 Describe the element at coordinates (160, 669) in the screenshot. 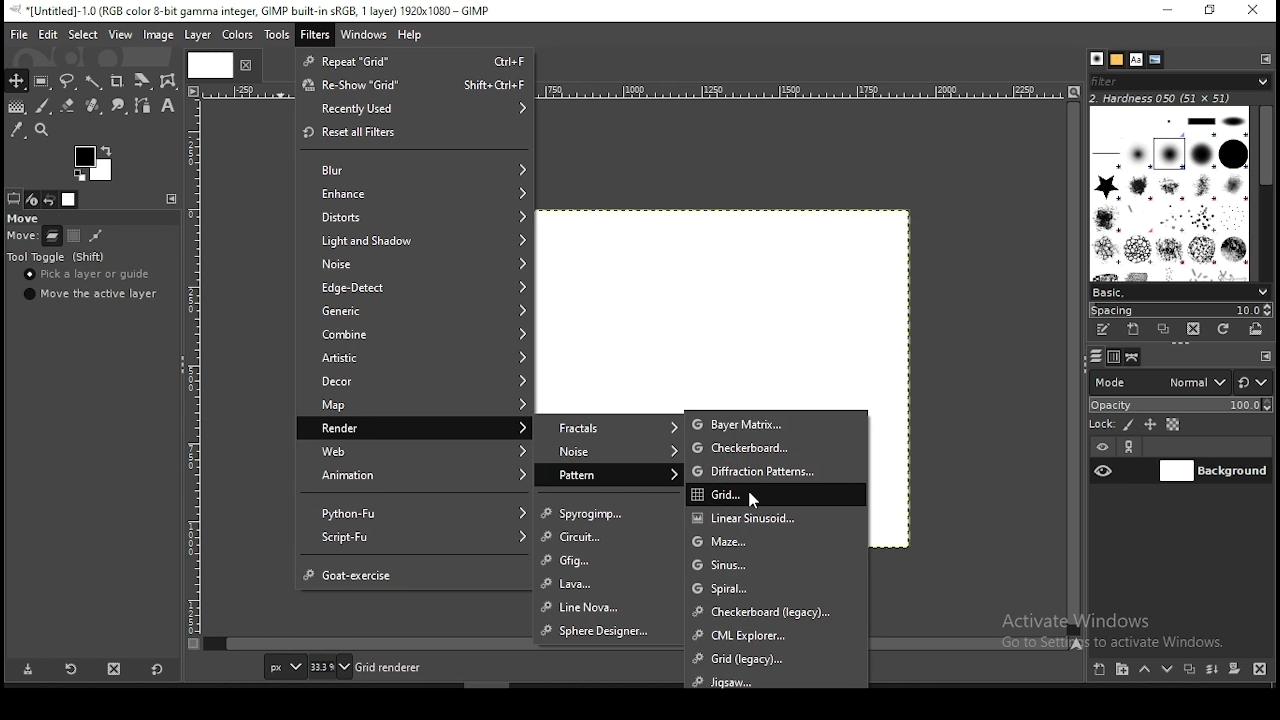

I see `restore to defaults` at that location.